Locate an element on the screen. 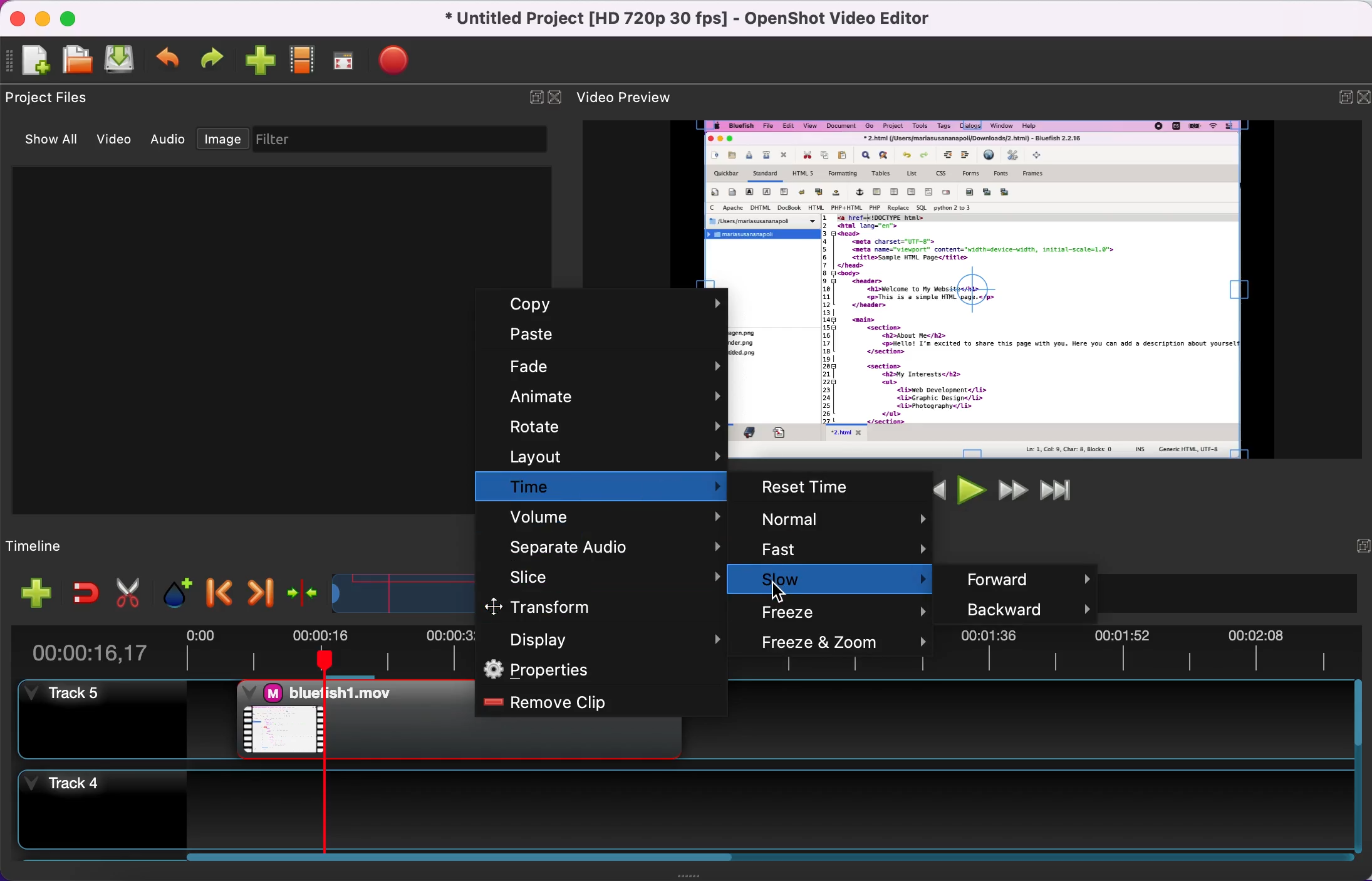  slice is located at coordinates (606, 575).